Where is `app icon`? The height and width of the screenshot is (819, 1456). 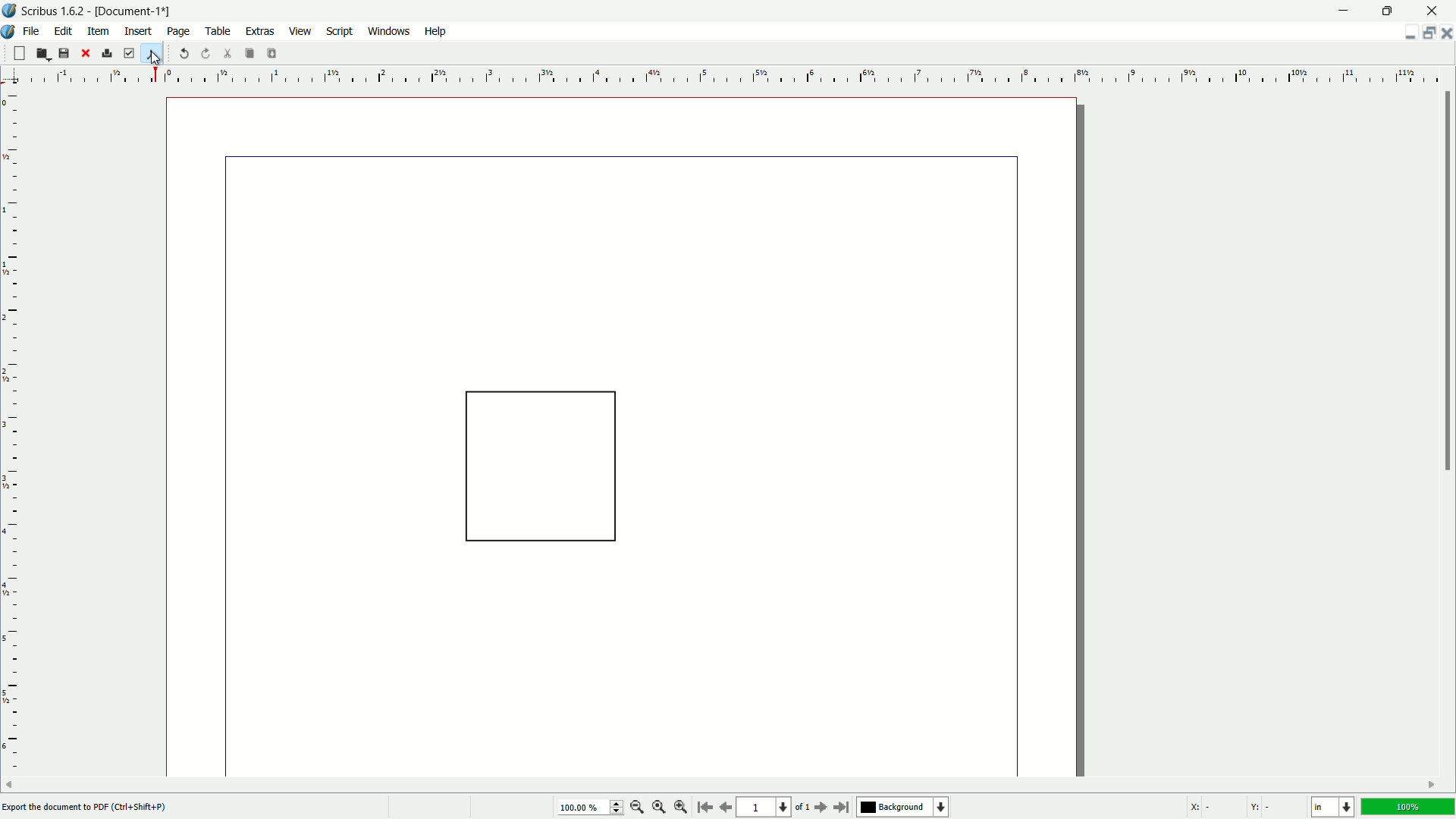 app icon is located at coordinates (10, 12).